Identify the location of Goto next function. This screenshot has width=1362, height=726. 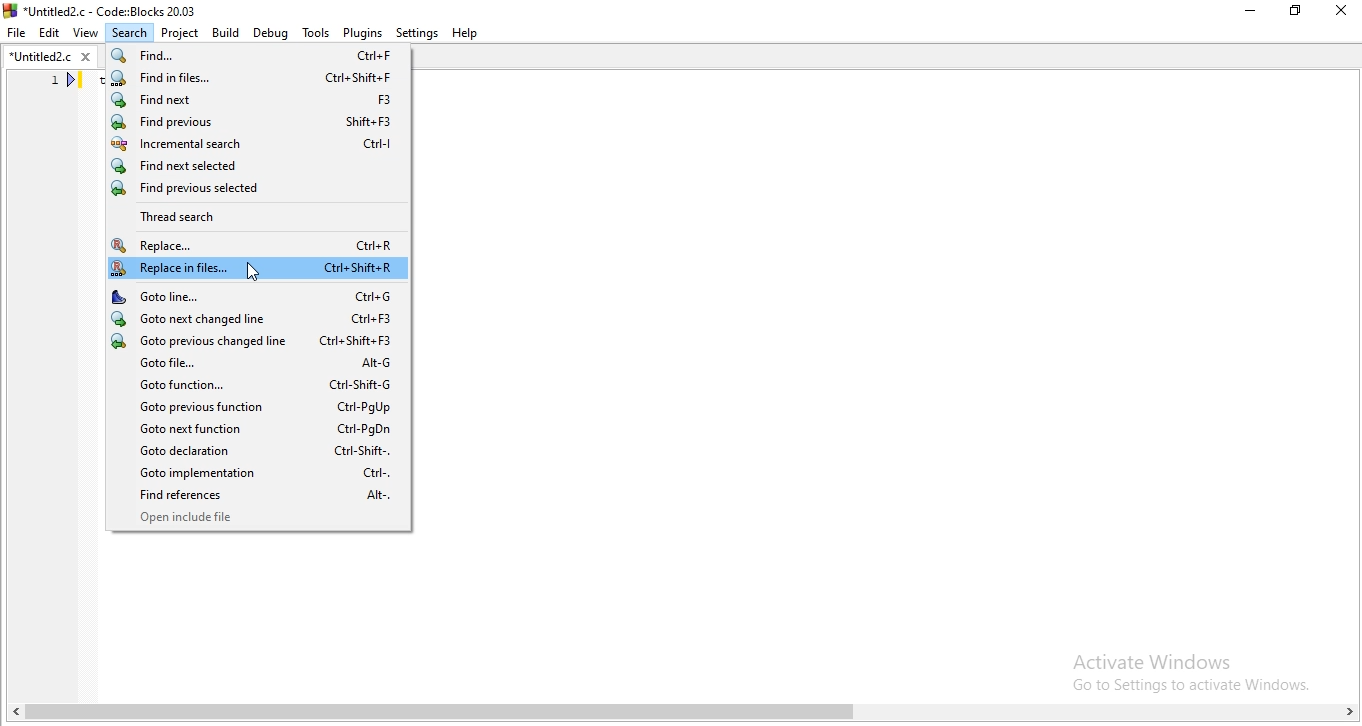
(254, 431).